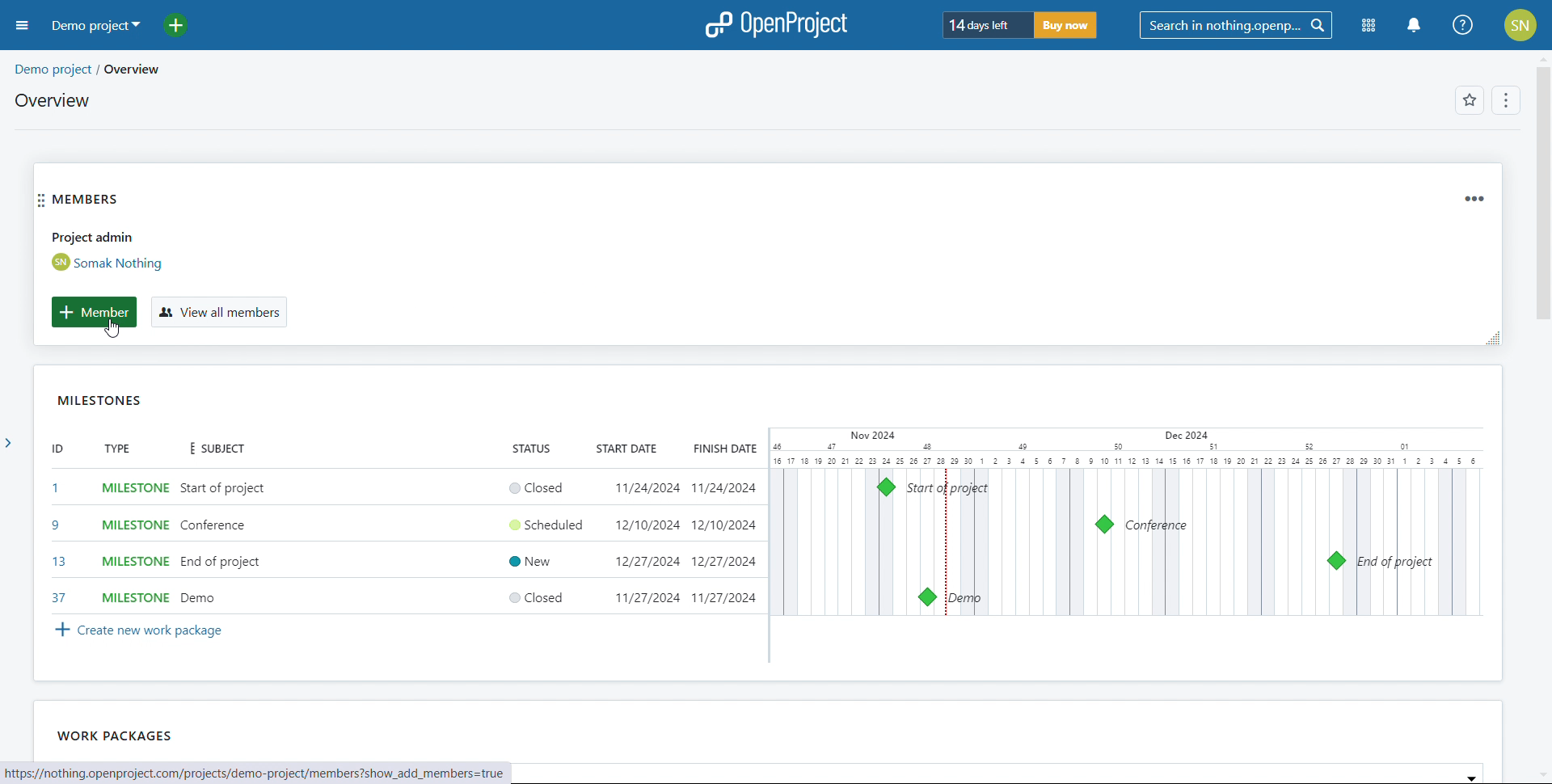 This screenshot has height=784, width=1552. I want to click on calendar view, so click(1124, 521).